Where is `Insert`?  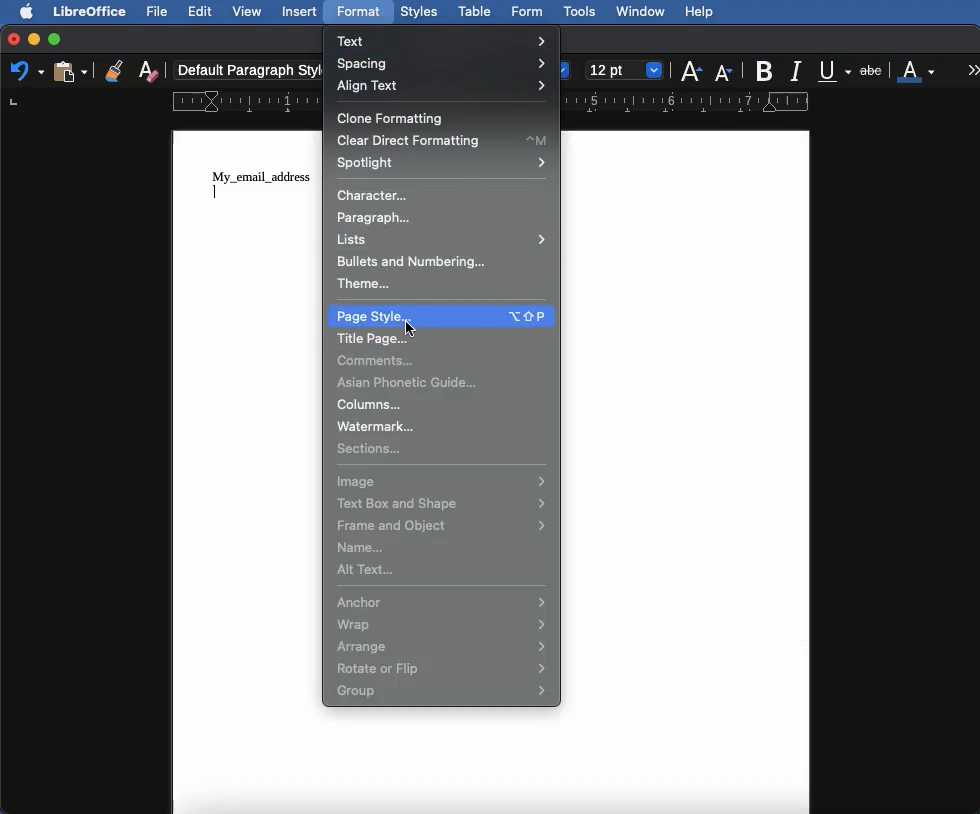
Insert is located at coordinates (300, 11).